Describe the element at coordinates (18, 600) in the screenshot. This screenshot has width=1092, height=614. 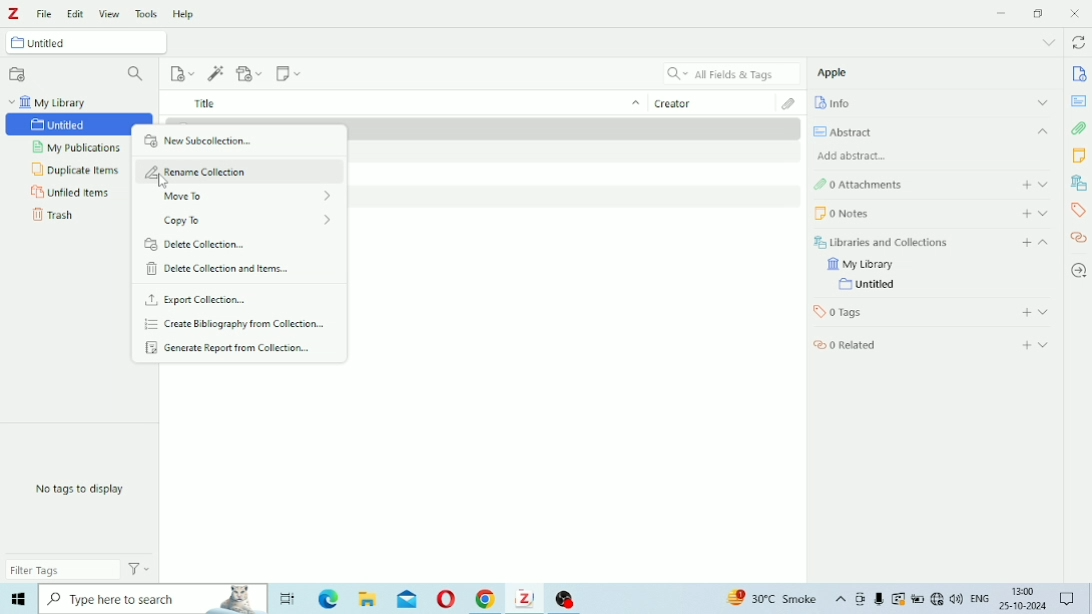
I see `start` at that location.